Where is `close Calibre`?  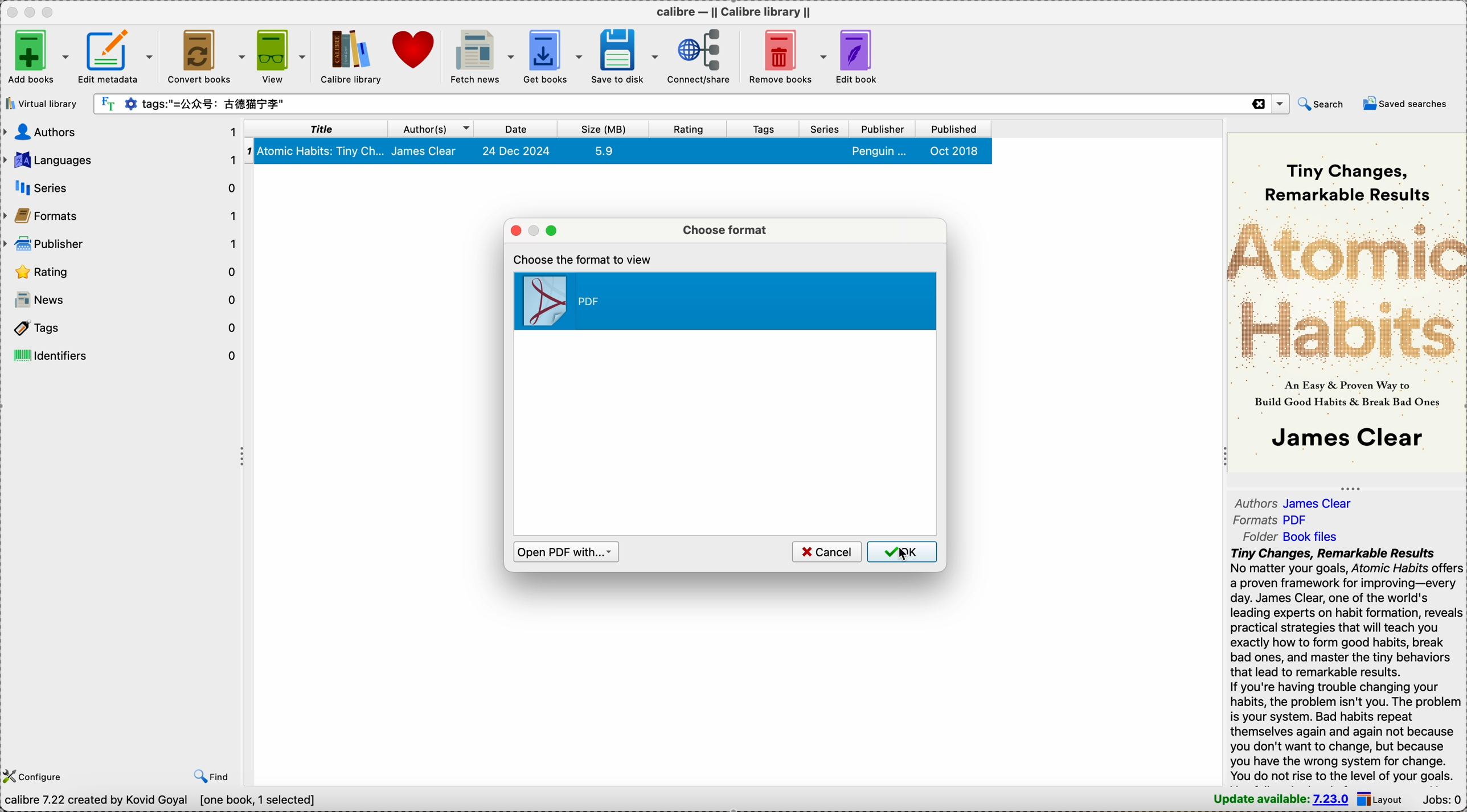 close Calibre is located at coordinates (9, 11).